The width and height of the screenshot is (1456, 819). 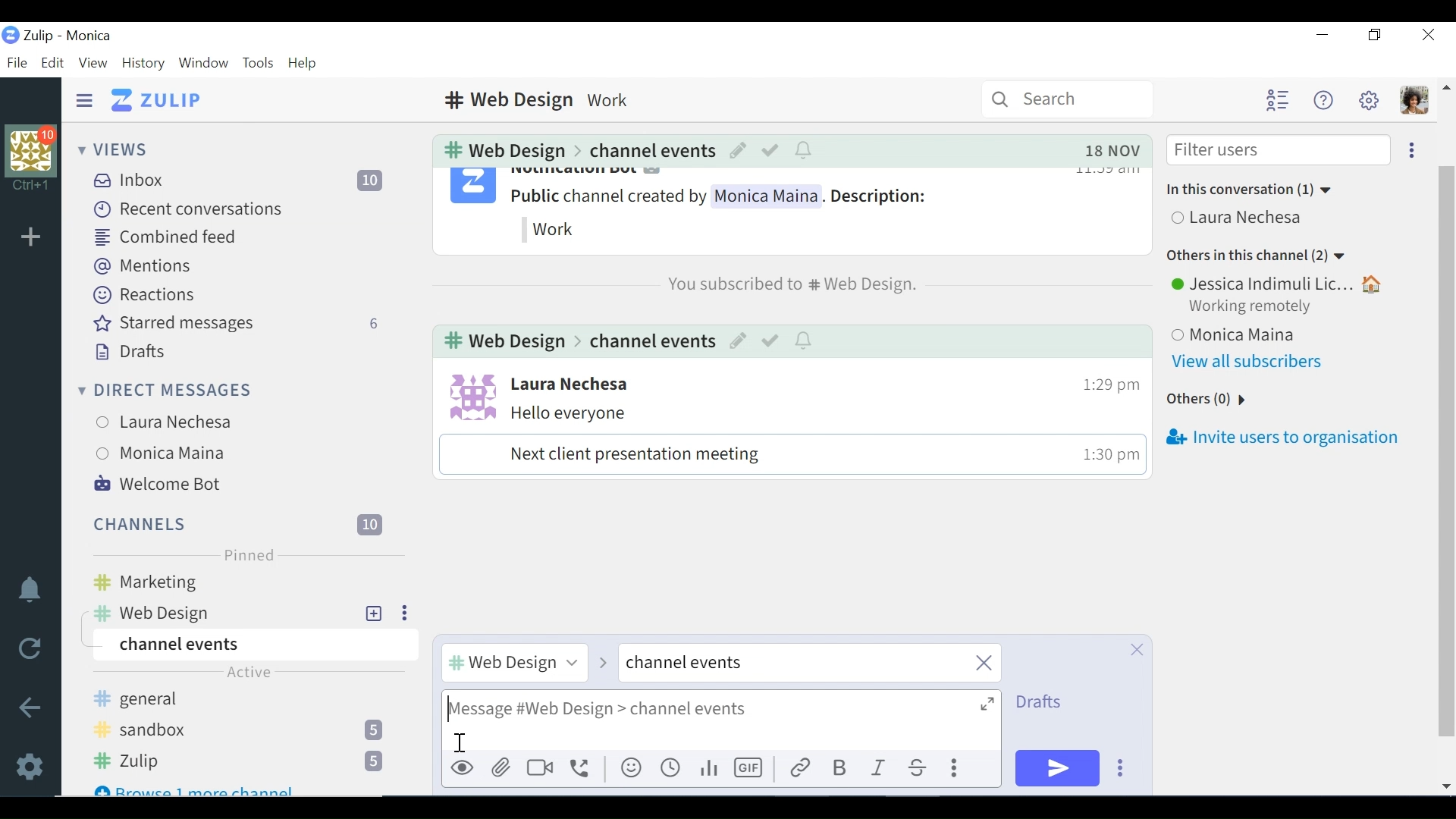 I want to click on Organisation profile, so click(x=33, y=149).